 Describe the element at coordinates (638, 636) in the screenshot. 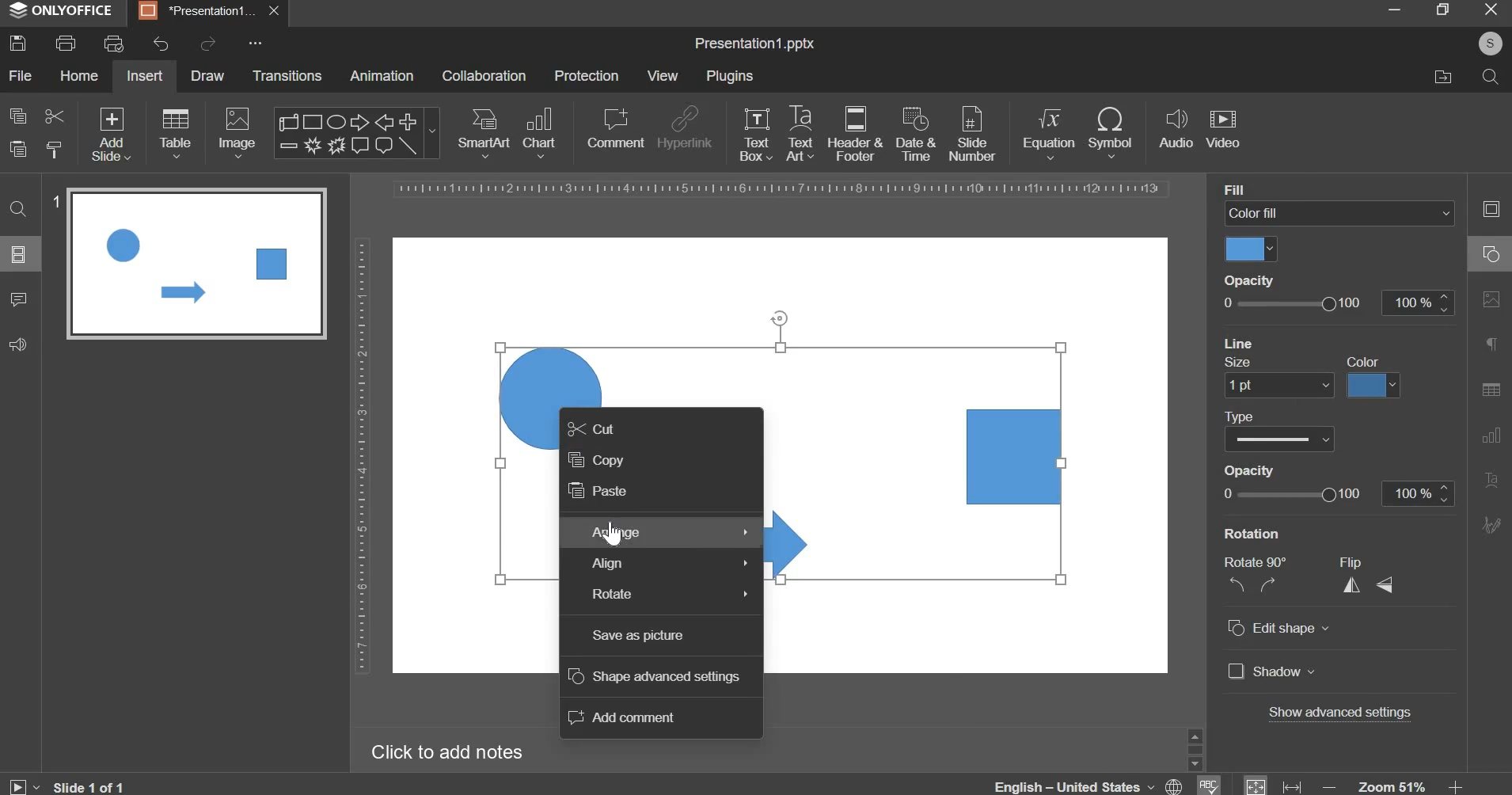

I see `save as picture` at that location.